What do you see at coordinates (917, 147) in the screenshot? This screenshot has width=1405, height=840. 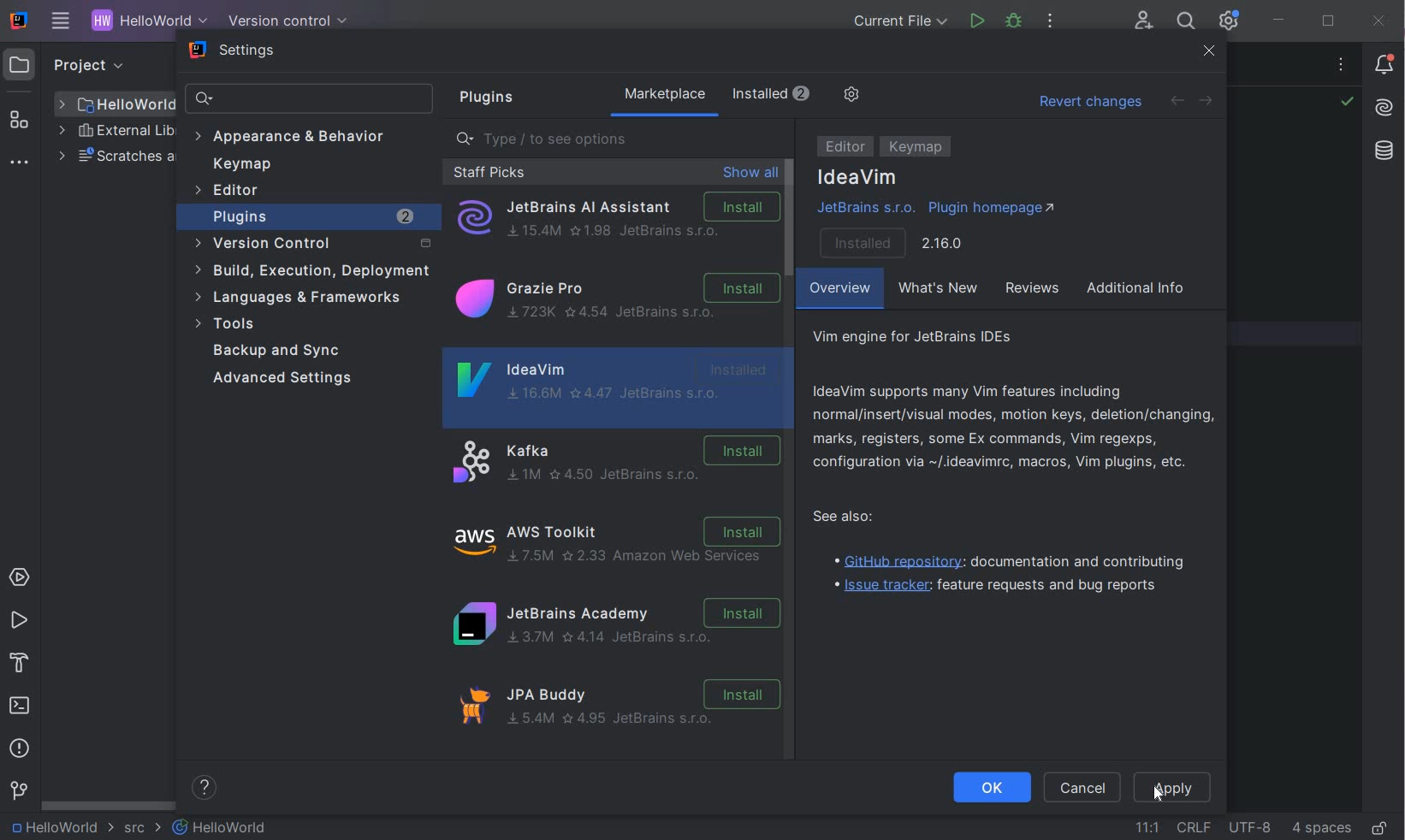 I see `KEYMAP` at bounding box center [917, 147].